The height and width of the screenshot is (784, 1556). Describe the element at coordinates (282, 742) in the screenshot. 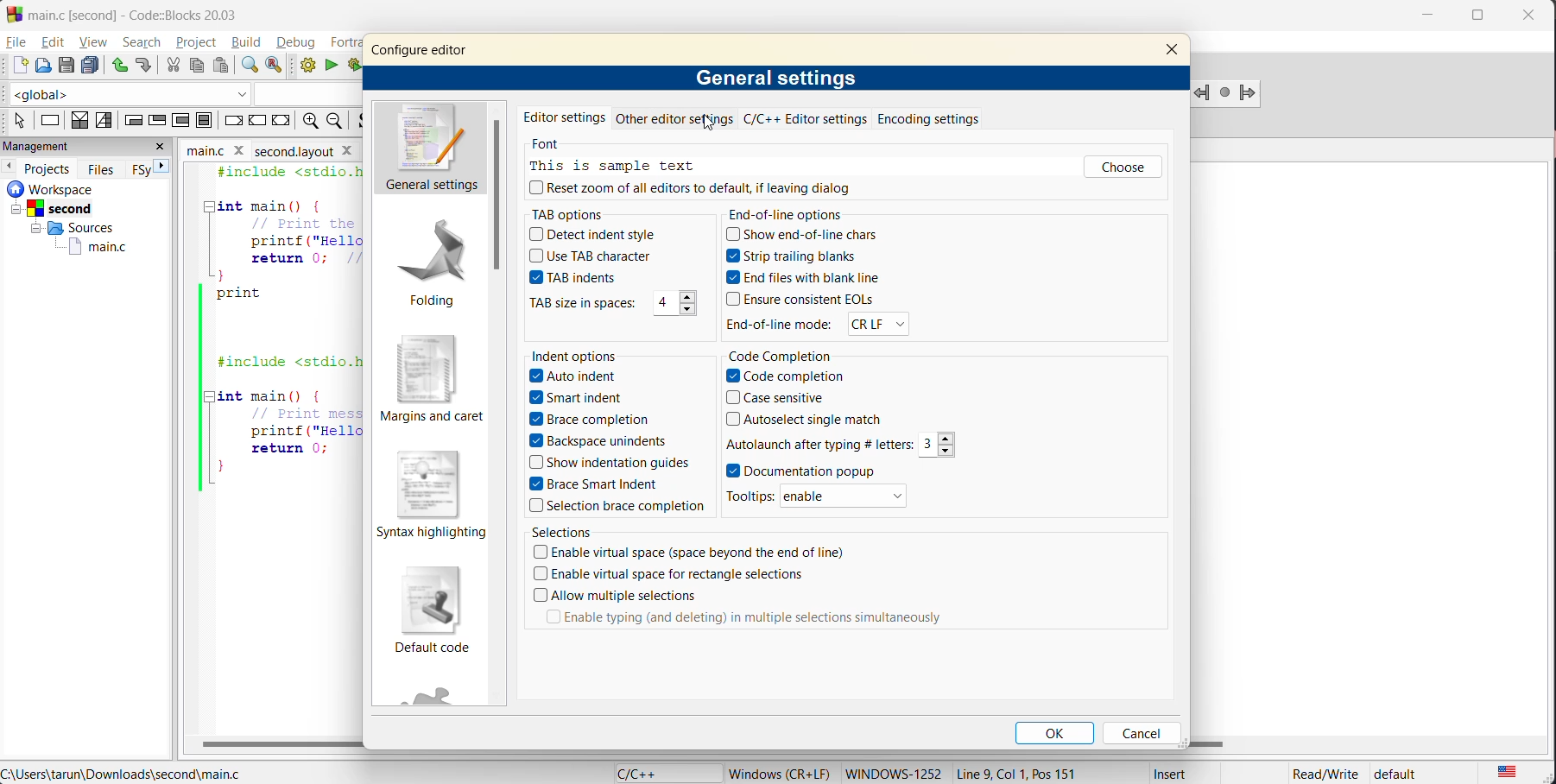

I see `horizontal scroll bar` at that location.